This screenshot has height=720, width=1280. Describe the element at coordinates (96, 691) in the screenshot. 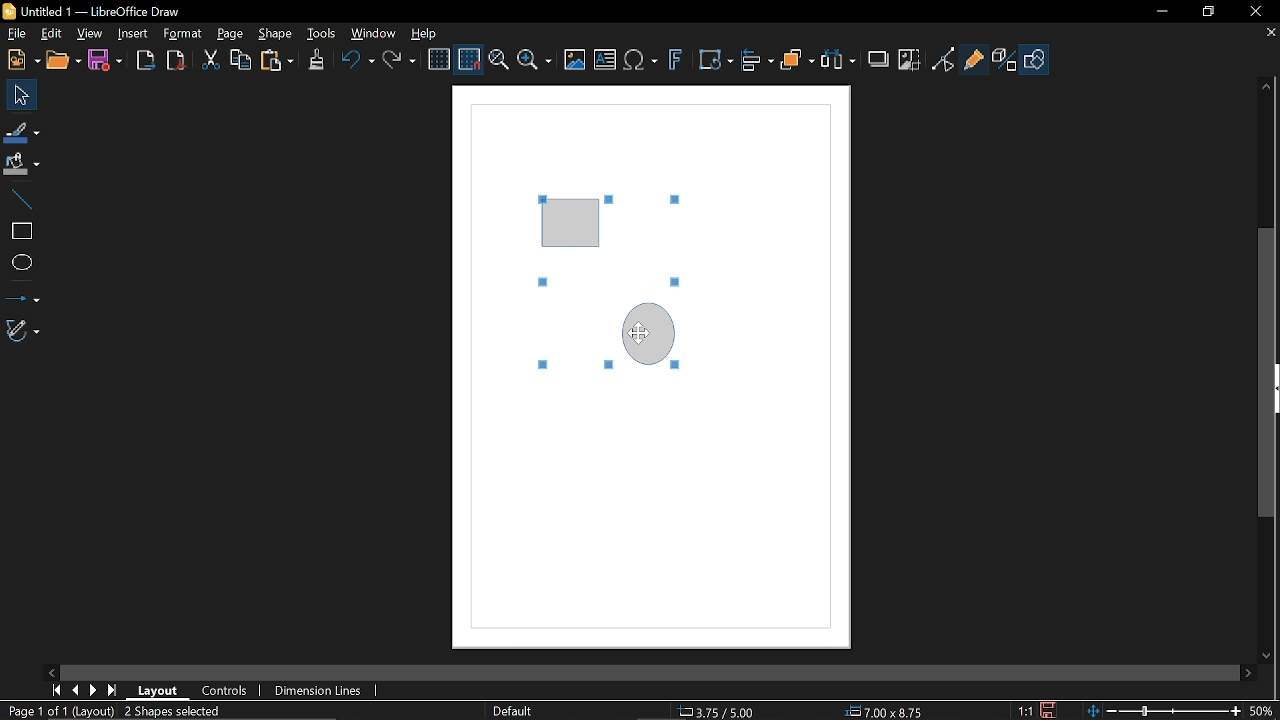

I see `Next page` at that location.